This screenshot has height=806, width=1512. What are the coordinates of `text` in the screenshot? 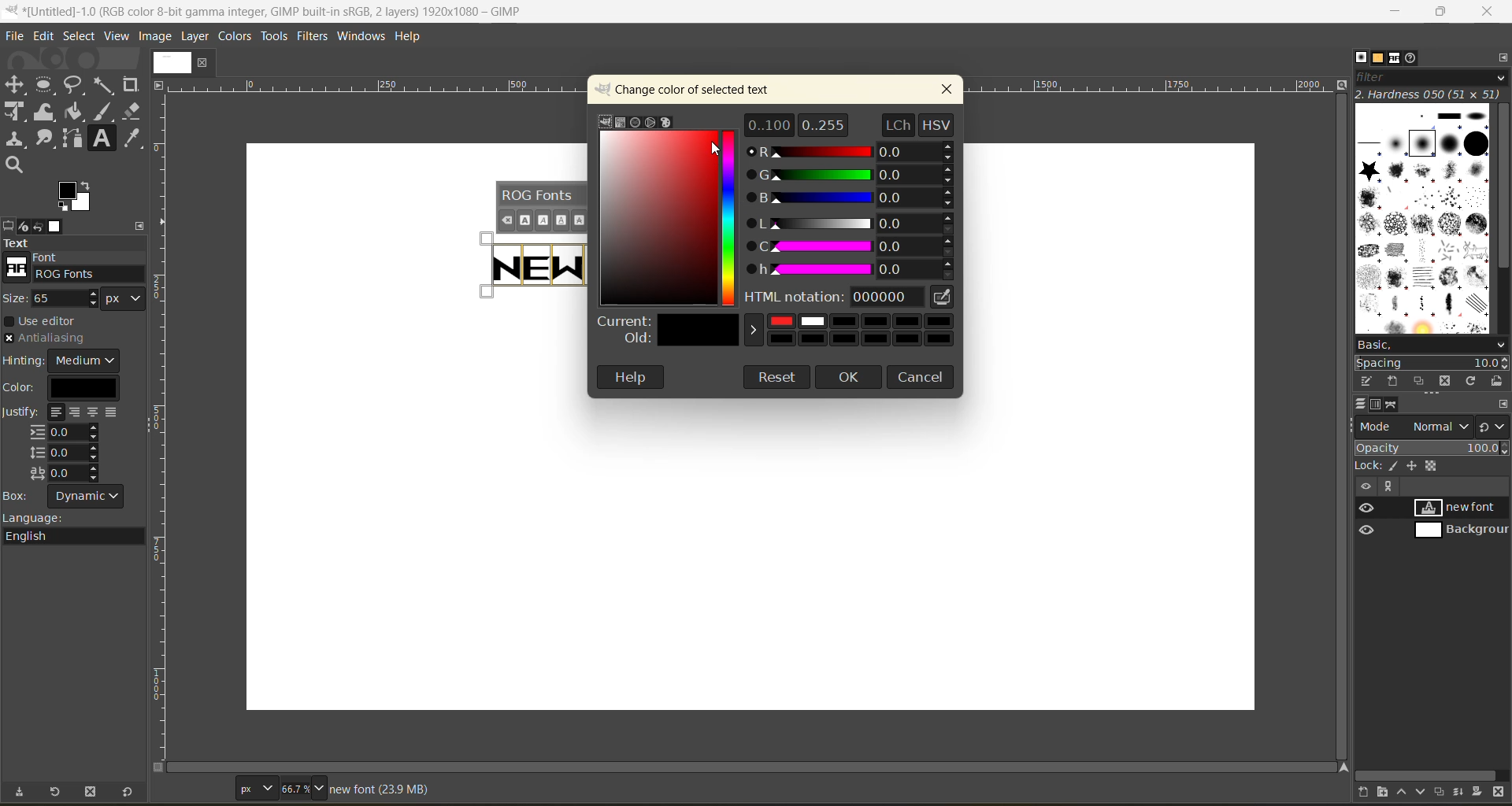 It's located at (73, 243).